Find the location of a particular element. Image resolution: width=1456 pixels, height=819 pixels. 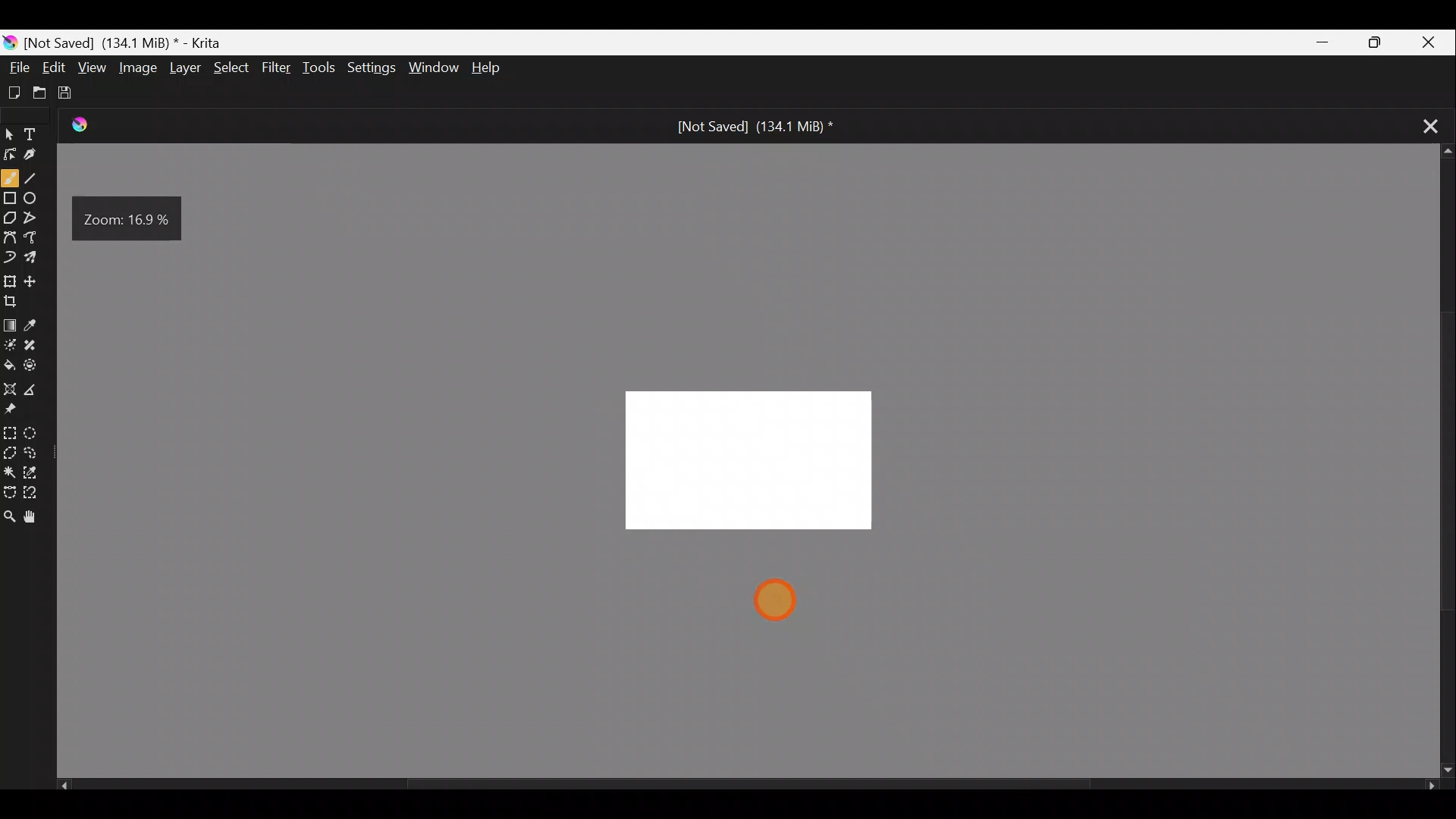

Close is located at coordinates (1428, 42).